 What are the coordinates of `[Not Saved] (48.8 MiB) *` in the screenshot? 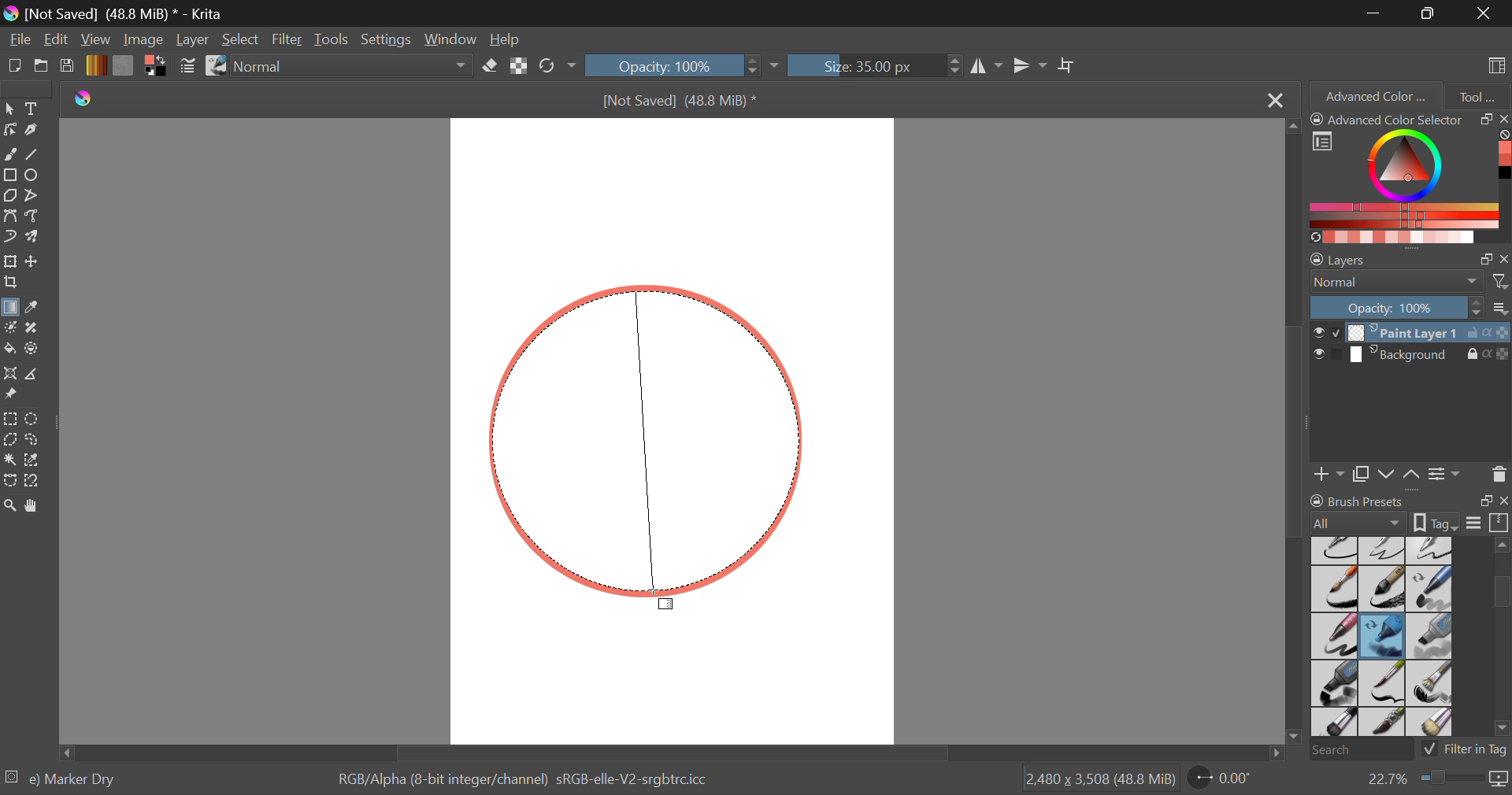 It's located at (677, 100).